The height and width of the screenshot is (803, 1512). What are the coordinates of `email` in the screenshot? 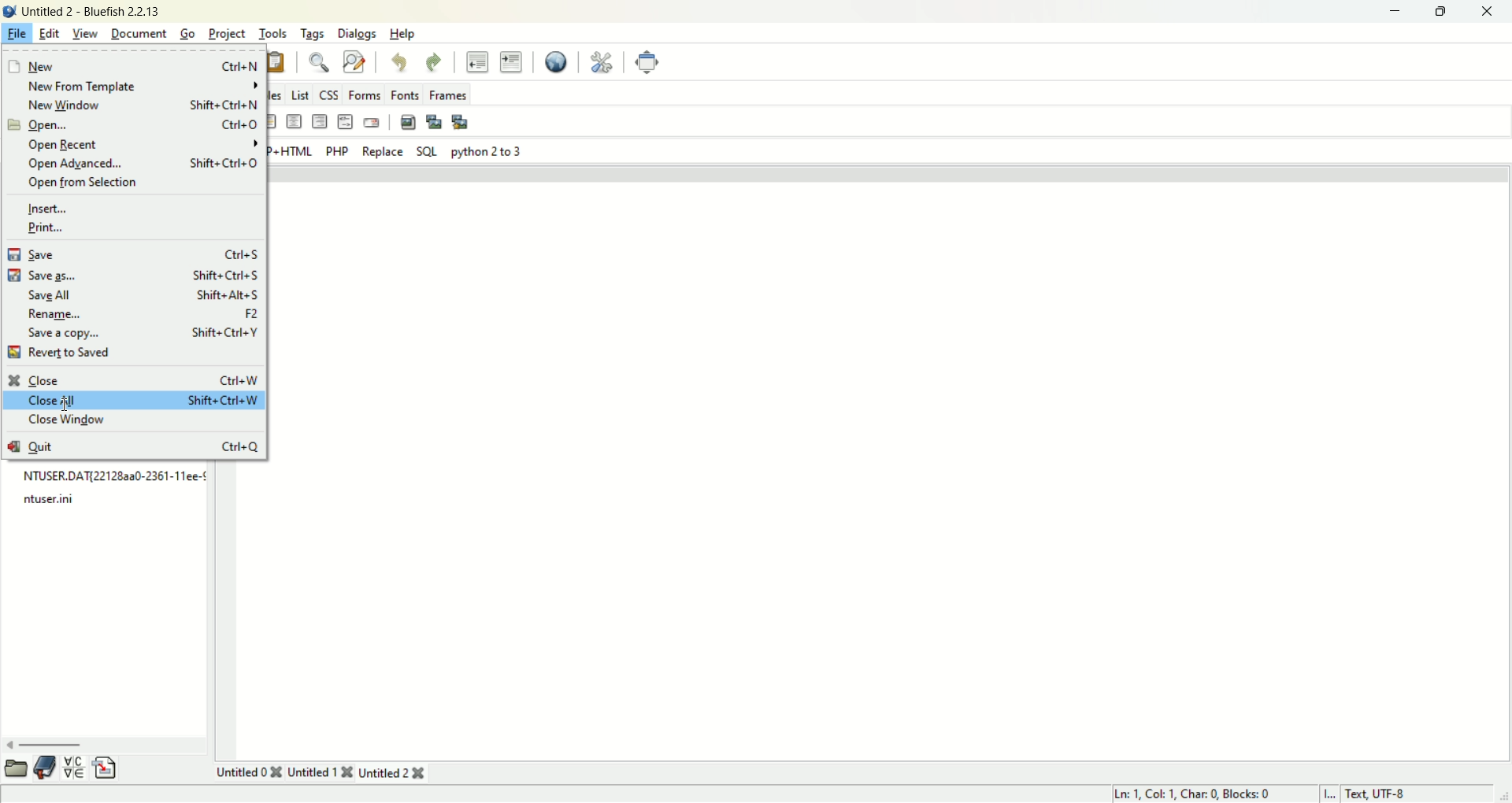 It's located at (371, 121).